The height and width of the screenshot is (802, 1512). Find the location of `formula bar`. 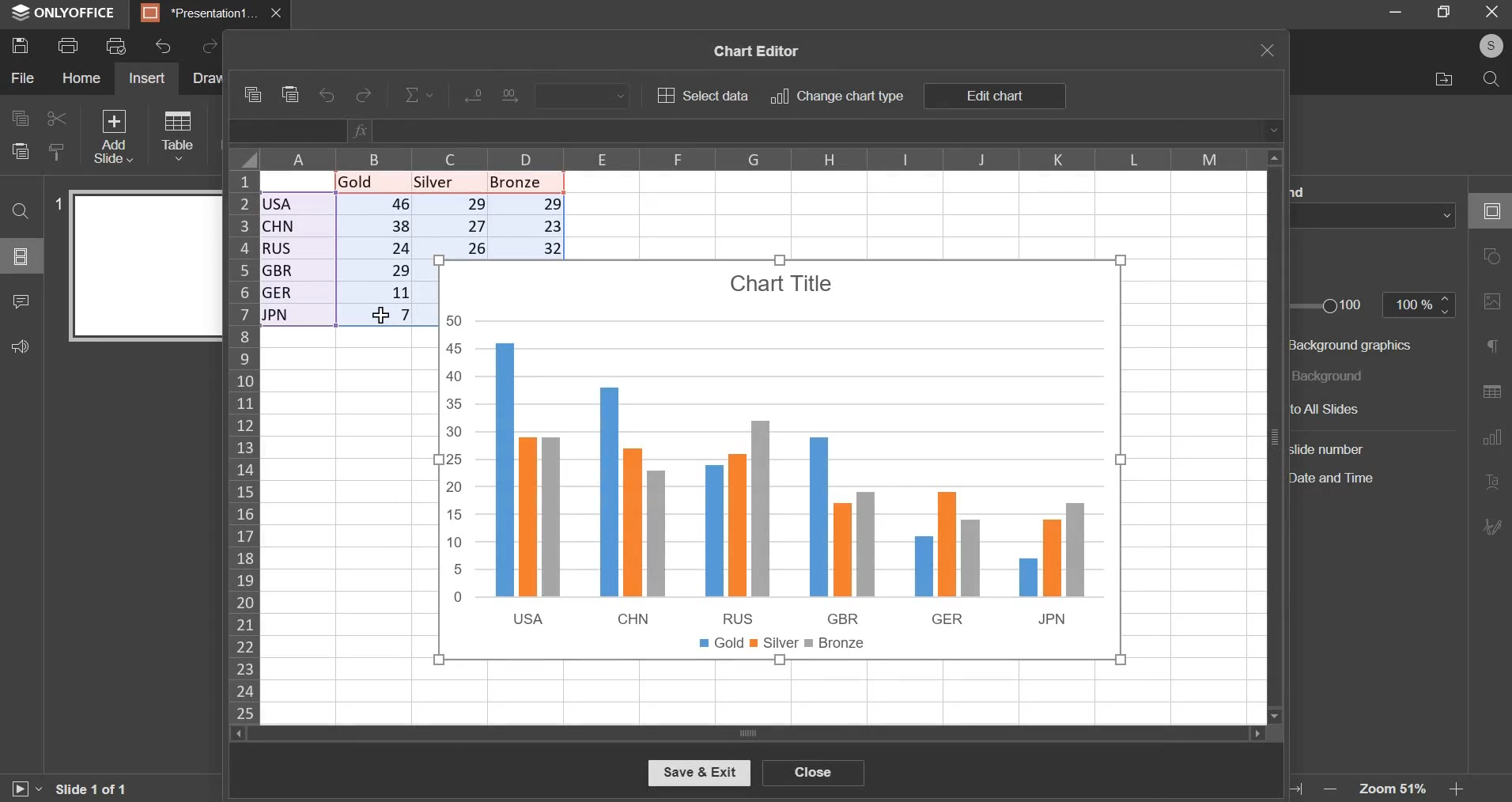

formula bar is located at coordinates (817, 131).